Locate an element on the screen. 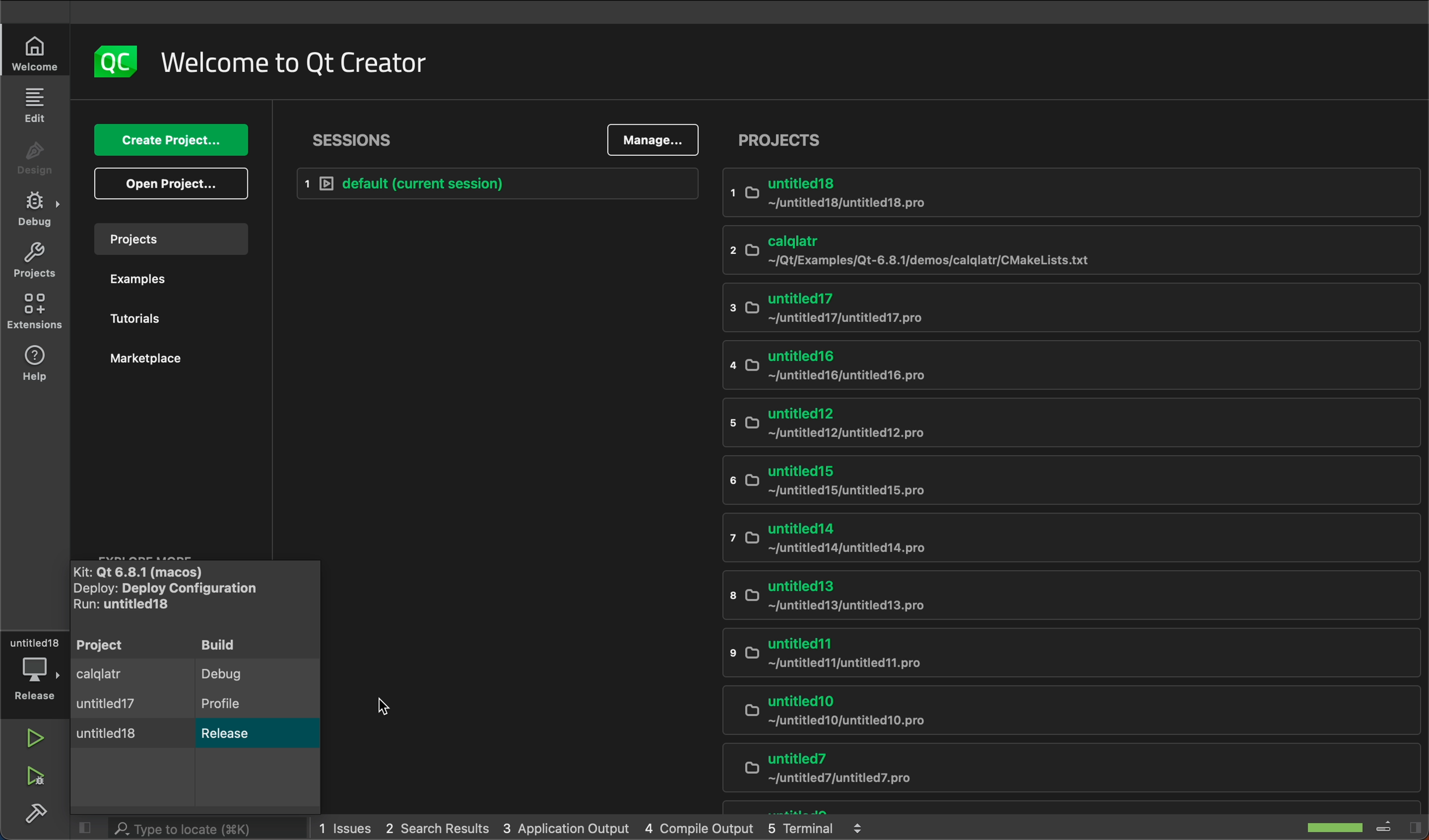 This screenshot has width=1429, height=840. build is located at coordinates (35, 812).